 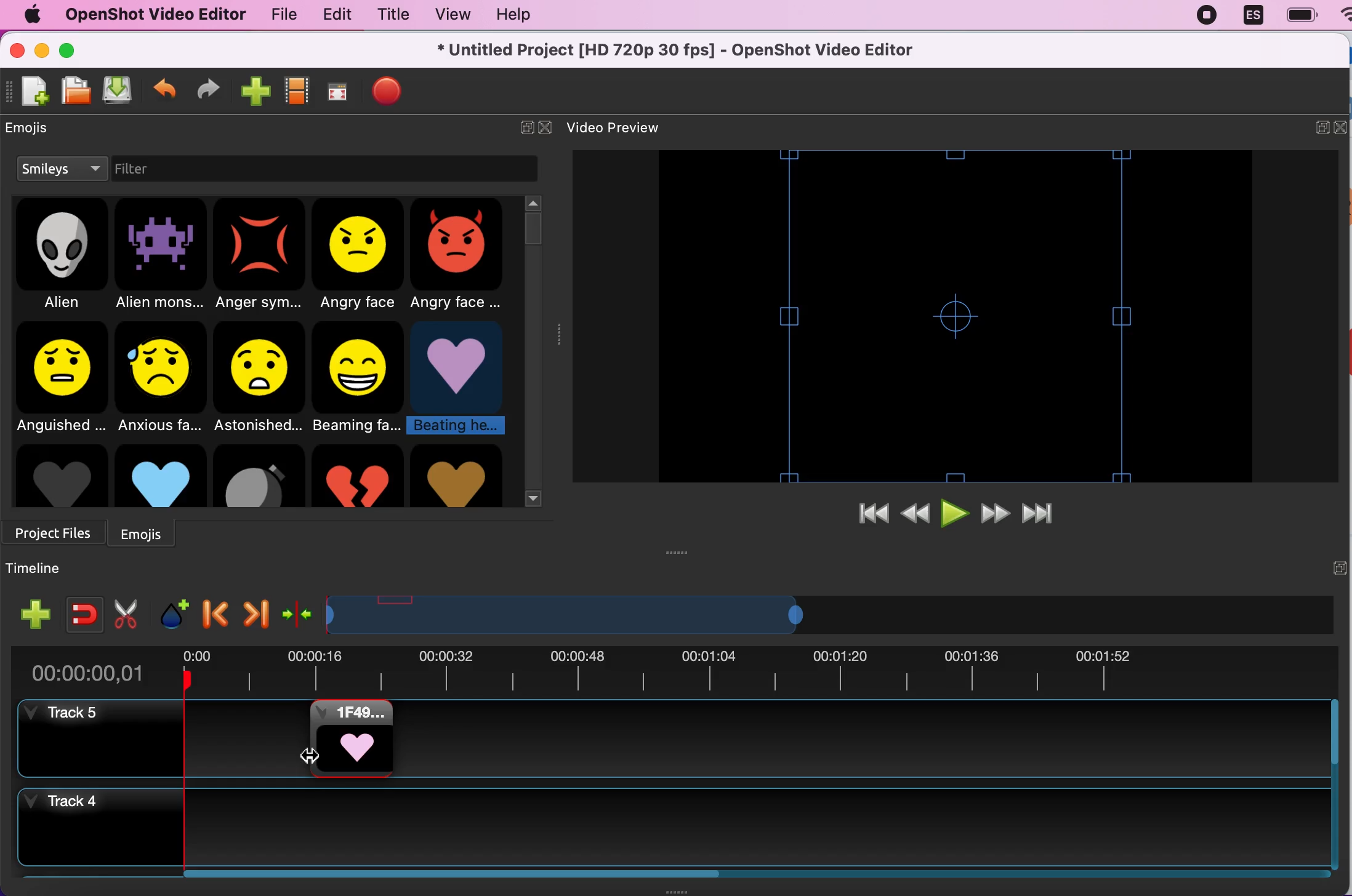 What do you see at coordinates (159, 170) in the screenshot?
I see `filter` at bounding box center [159, 170].